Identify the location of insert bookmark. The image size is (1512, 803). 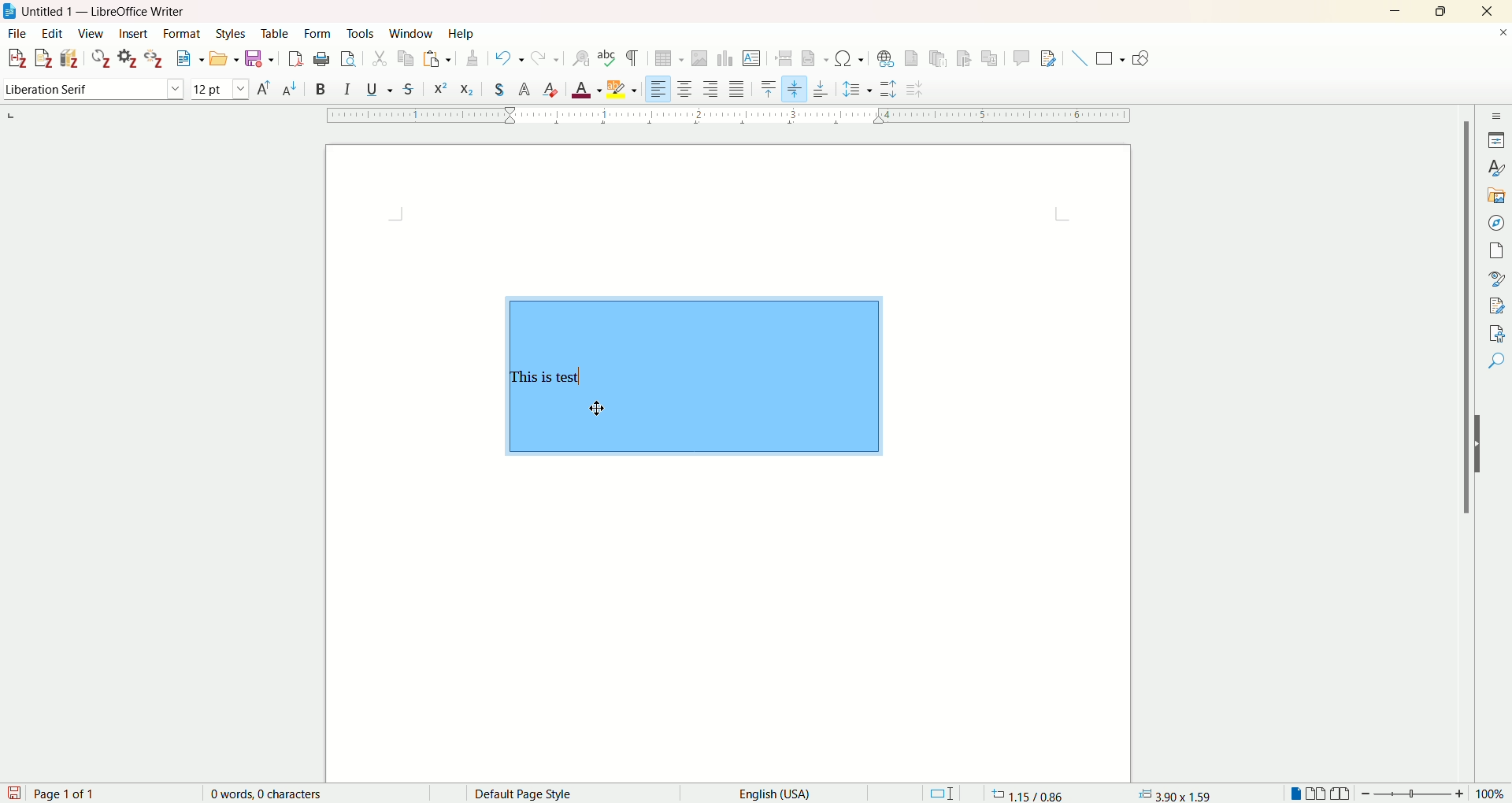
(963, 58).